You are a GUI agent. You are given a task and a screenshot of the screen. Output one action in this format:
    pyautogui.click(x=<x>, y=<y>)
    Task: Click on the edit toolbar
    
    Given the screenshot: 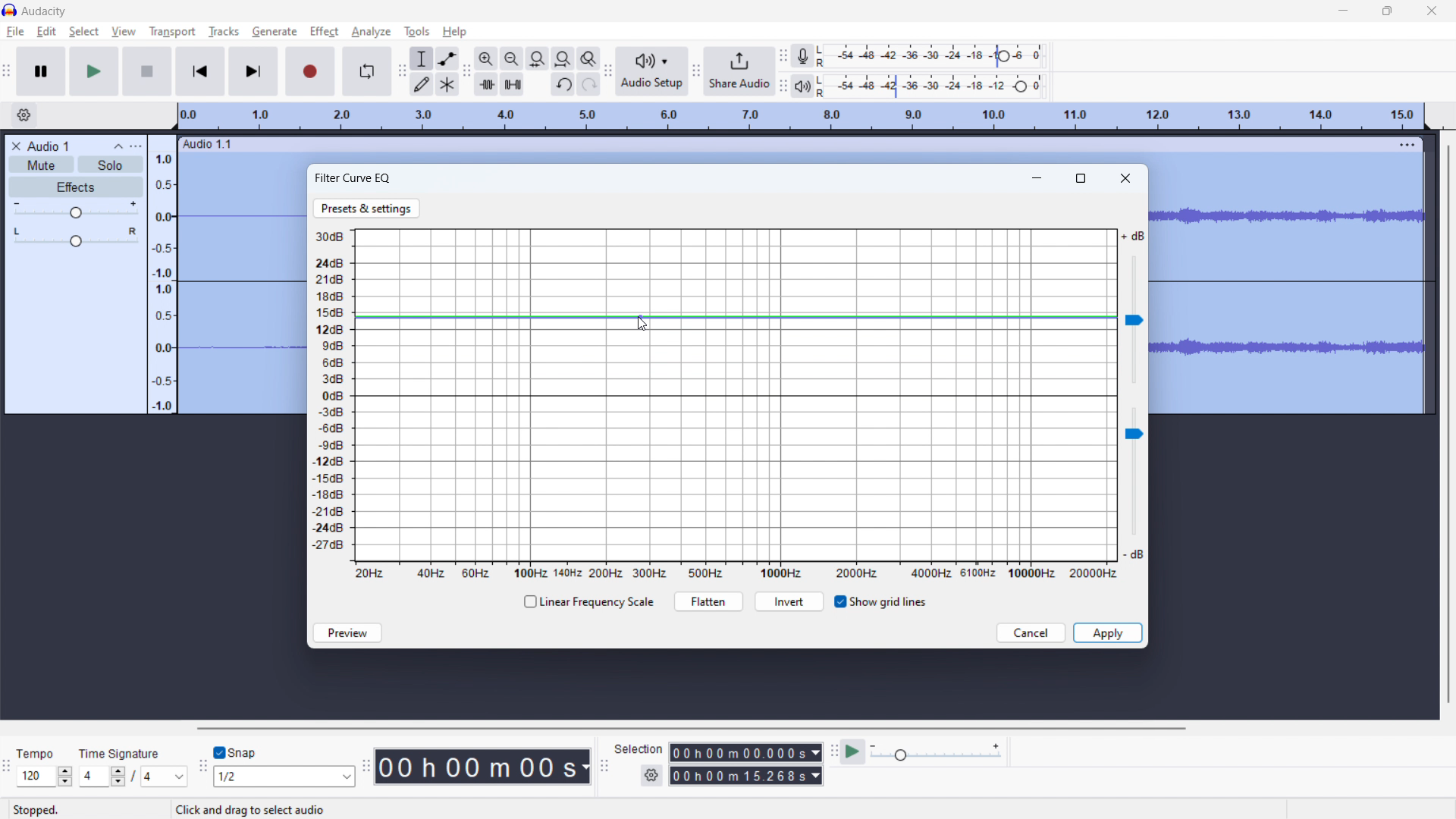 What is the action you would take?
    pyautogui.click(x=466, y=71)
    